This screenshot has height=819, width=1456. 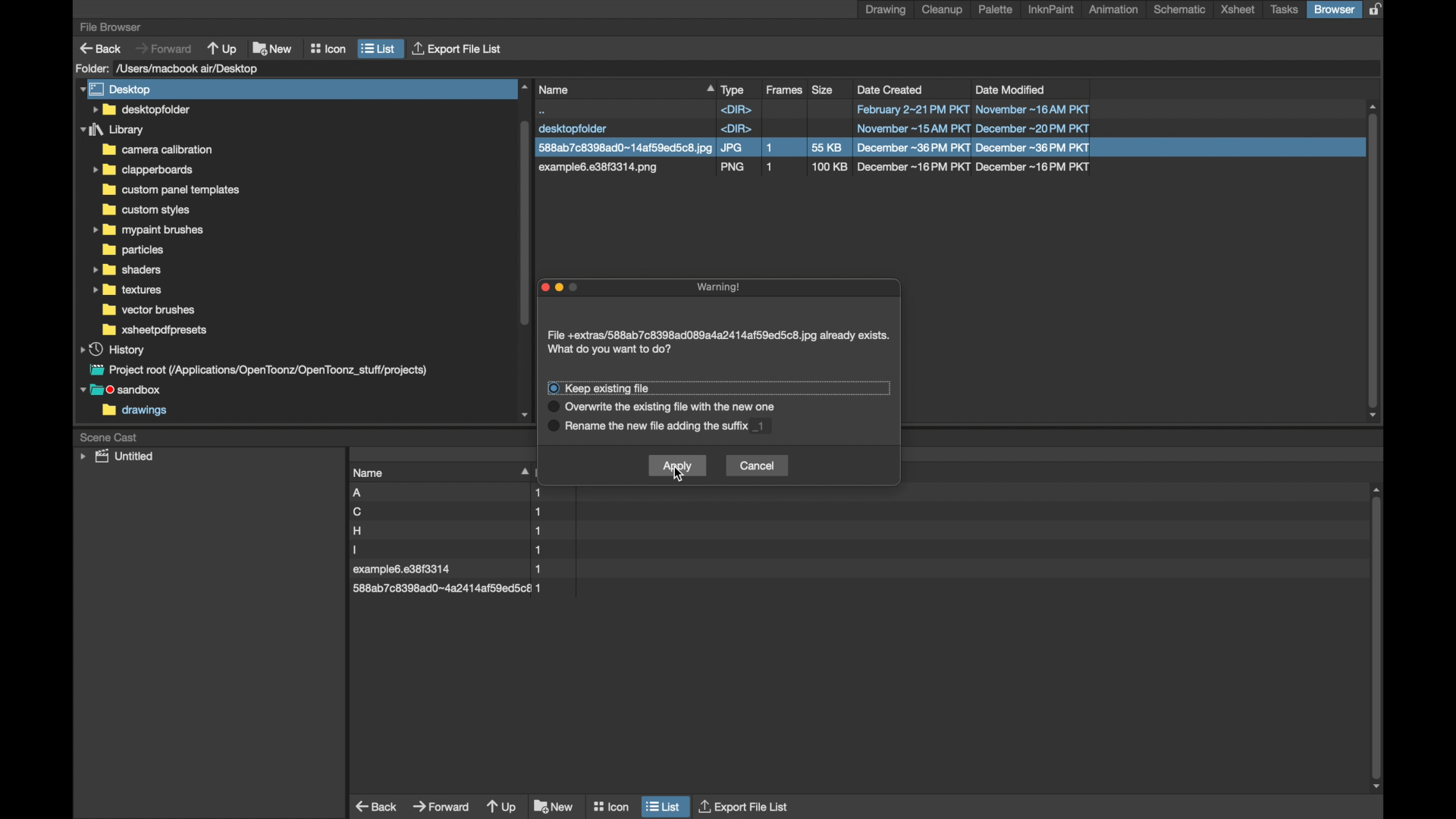 I want to click on project, so click(x=256, y=370).